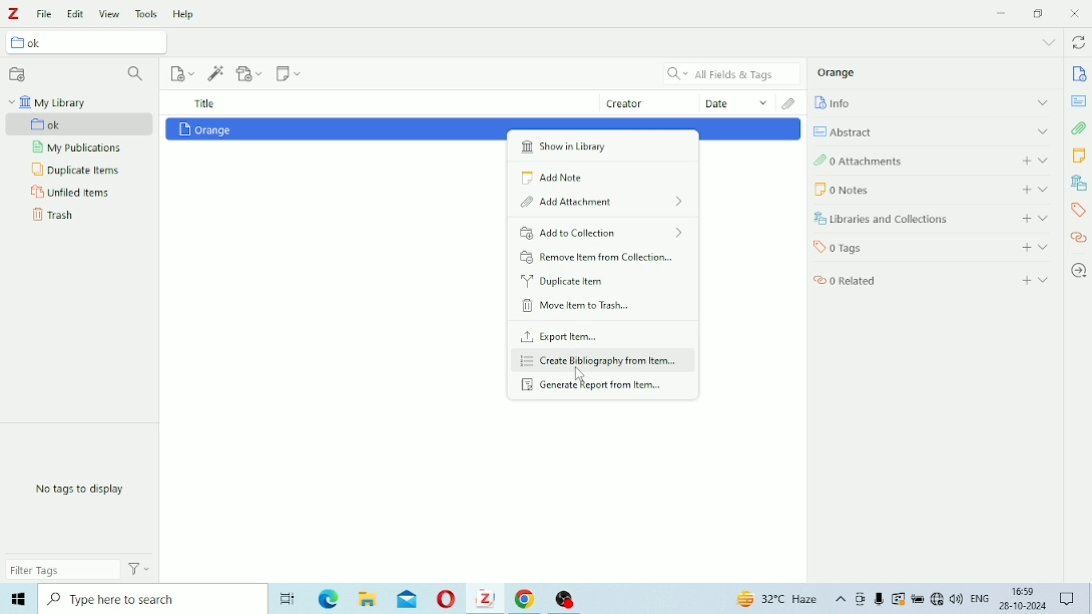 The image size is (1092, 614). What do you see at coordinates (791, 103) in the screenshot?
I see `Attachments` at bounding box center [791, 103].